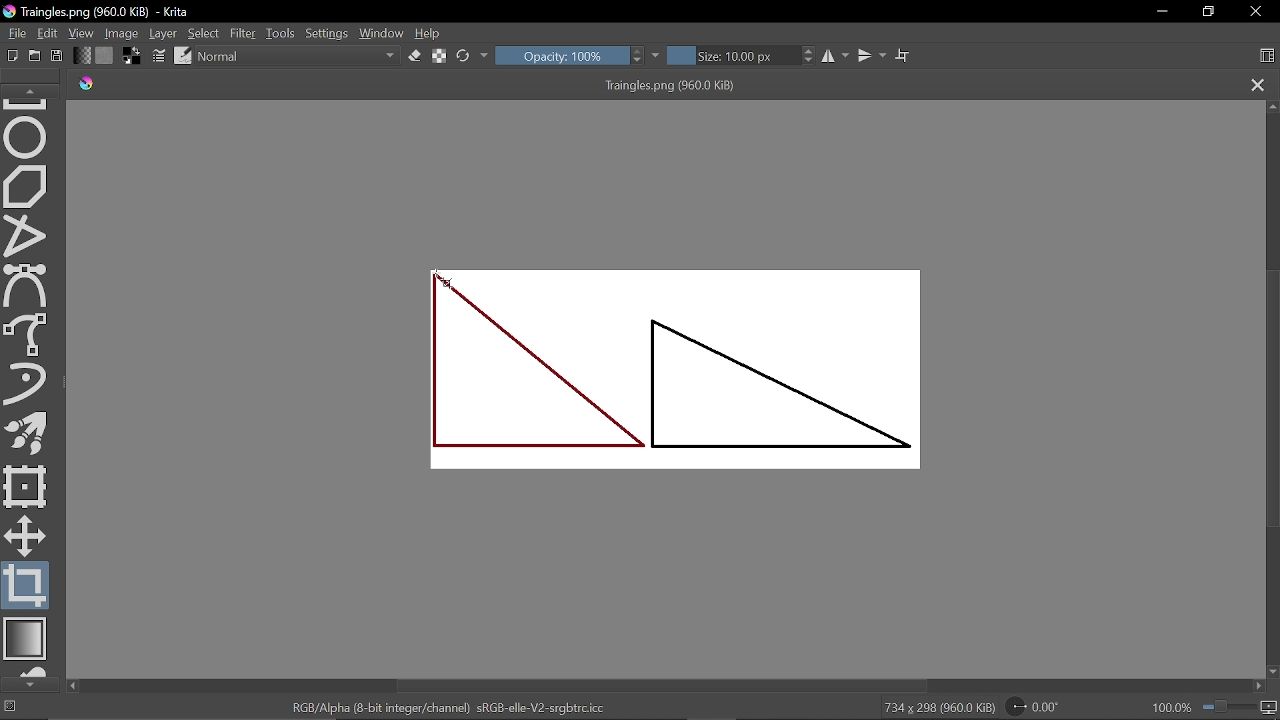 Image resolution: width=1280 pixels, height=720 pixels. What do you see at coordinates (561, 55) in the screenshot?
I see `Opacity: 100%` at bounding box center [561, 55].